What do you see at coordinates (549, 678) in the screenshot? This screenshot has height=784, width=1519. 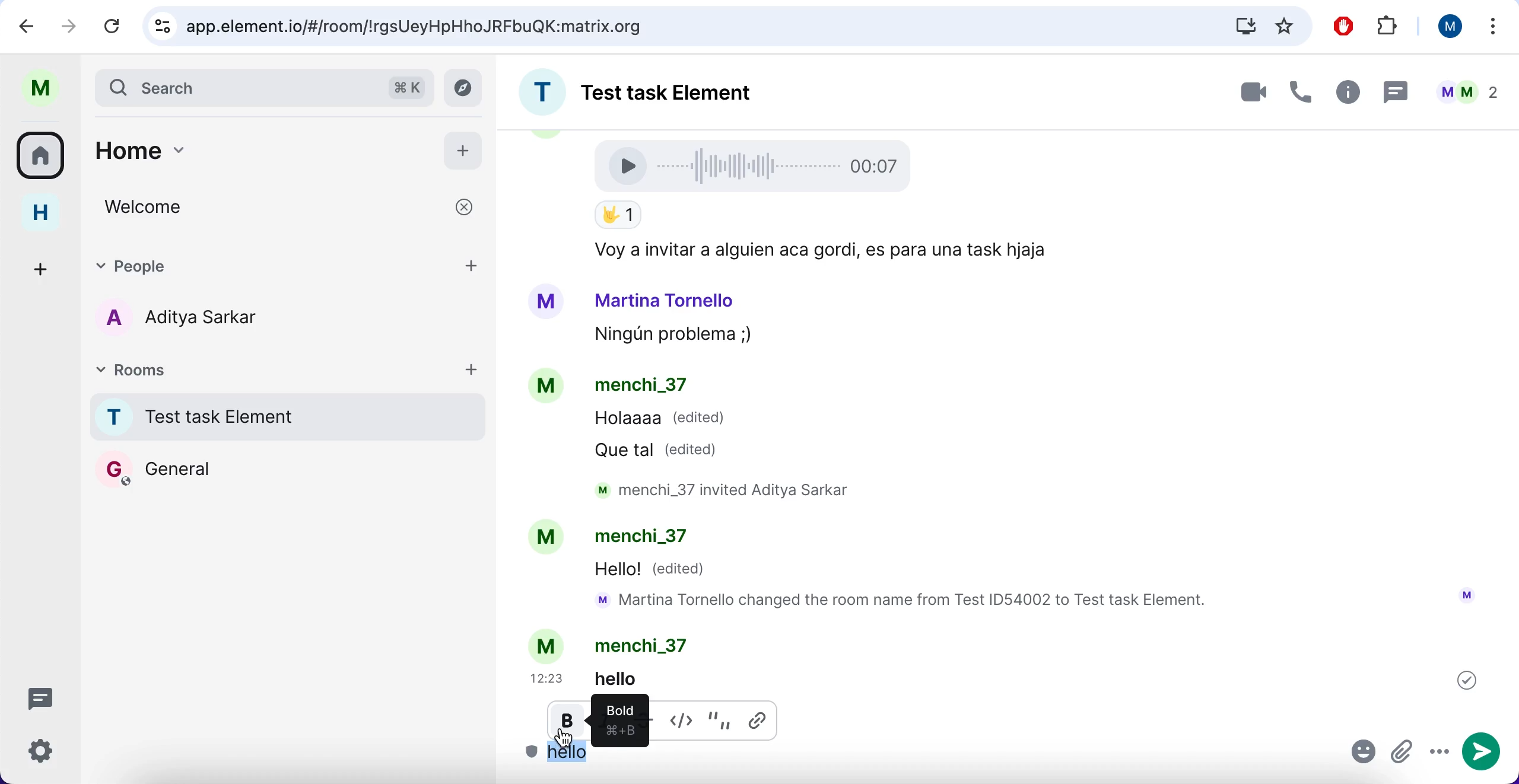 I see `12:23` at bounding box center [549, 678].